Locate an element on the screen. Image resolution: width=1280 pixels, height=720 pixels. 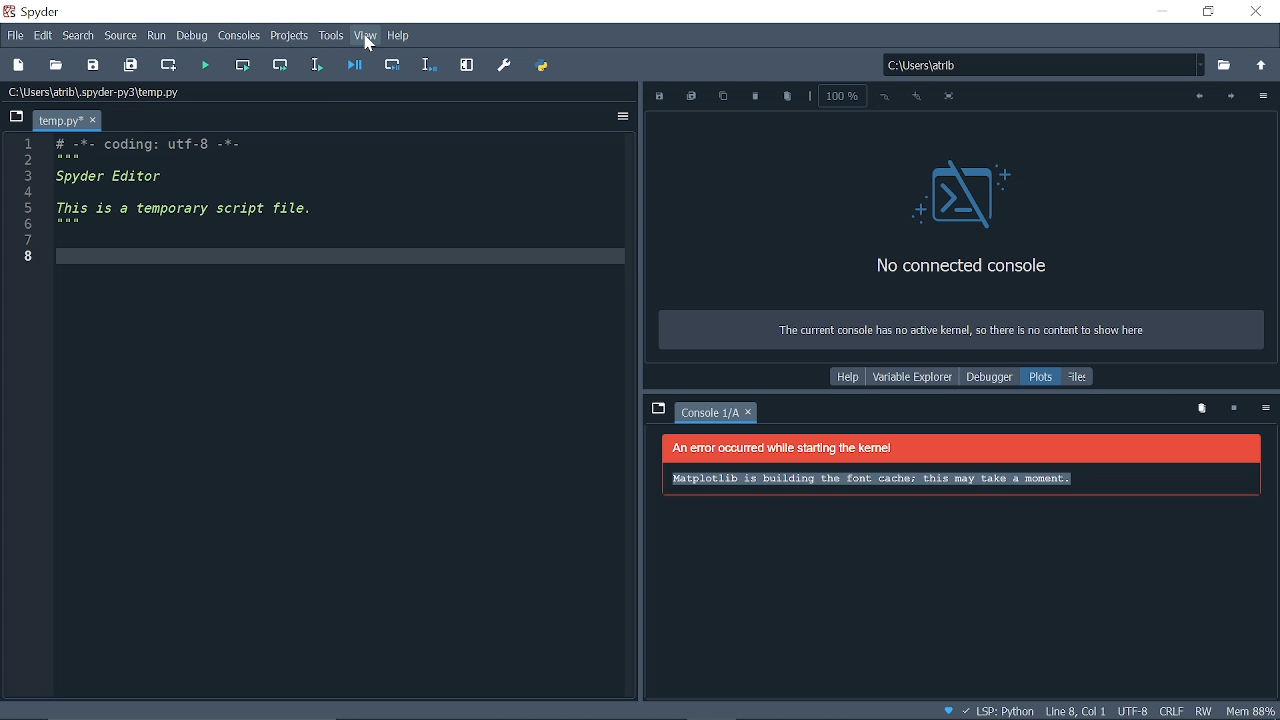
Run selection or current line is located at coordinates (318, 65).